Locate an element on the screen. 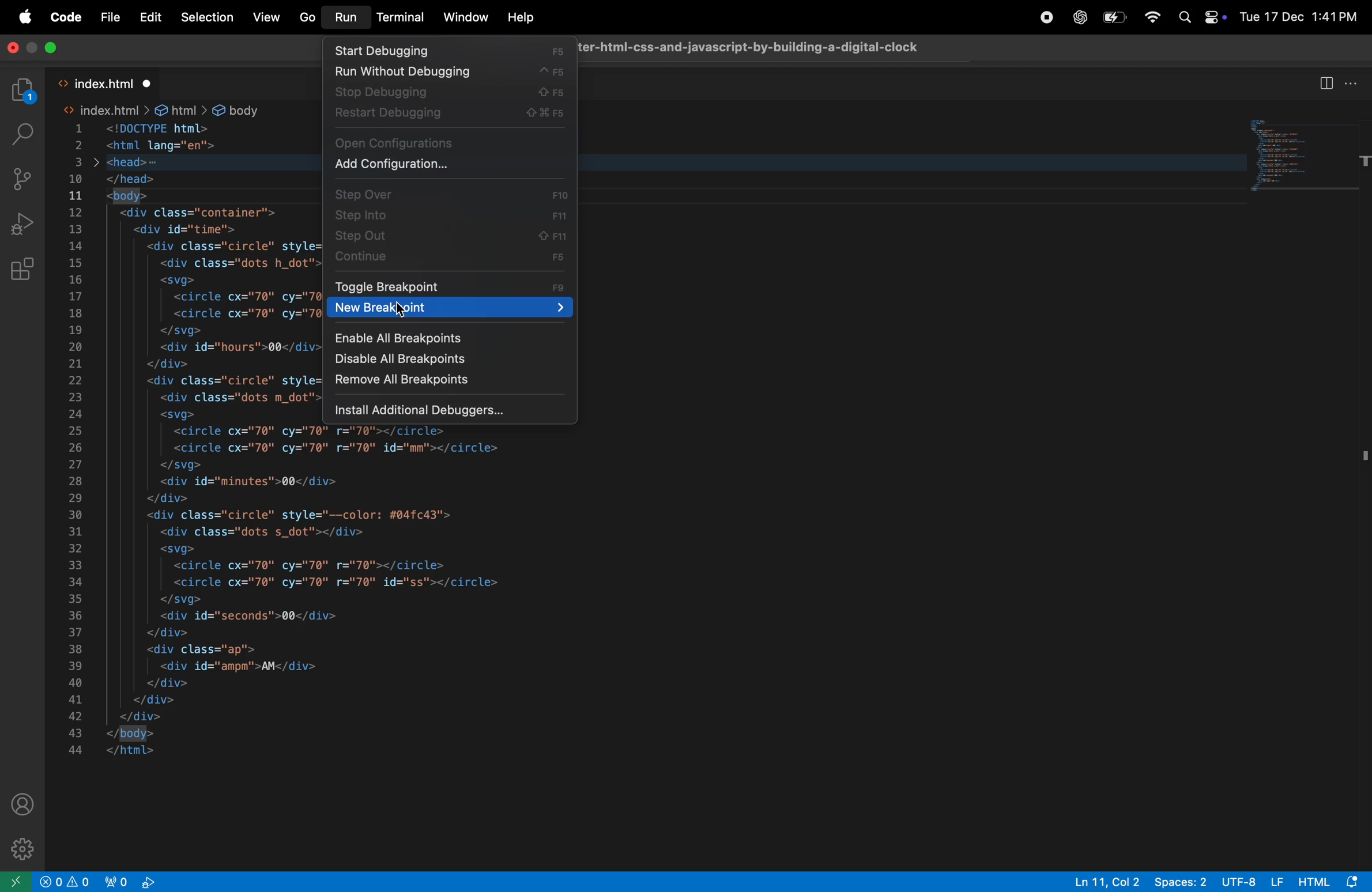  Edit is located at coordinates (151, 17).